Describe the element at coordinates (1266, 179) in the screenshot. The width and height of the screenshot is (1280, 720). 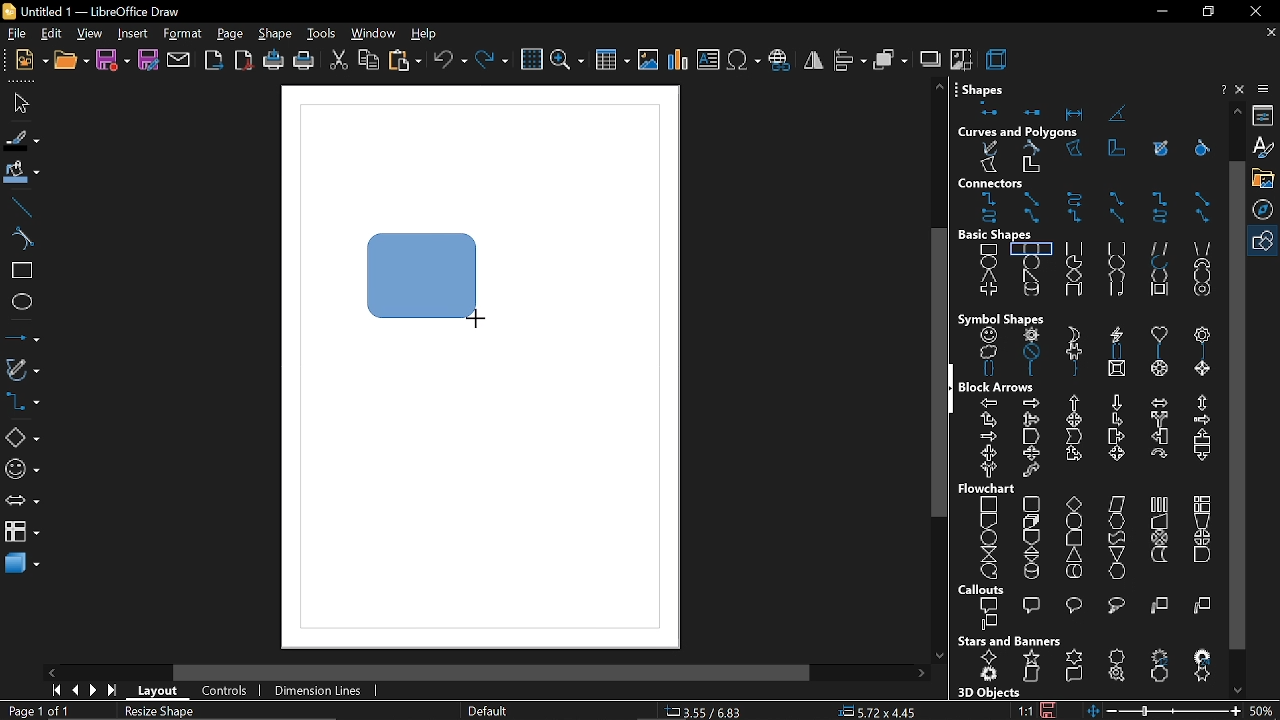
I see `gallery` at that location.